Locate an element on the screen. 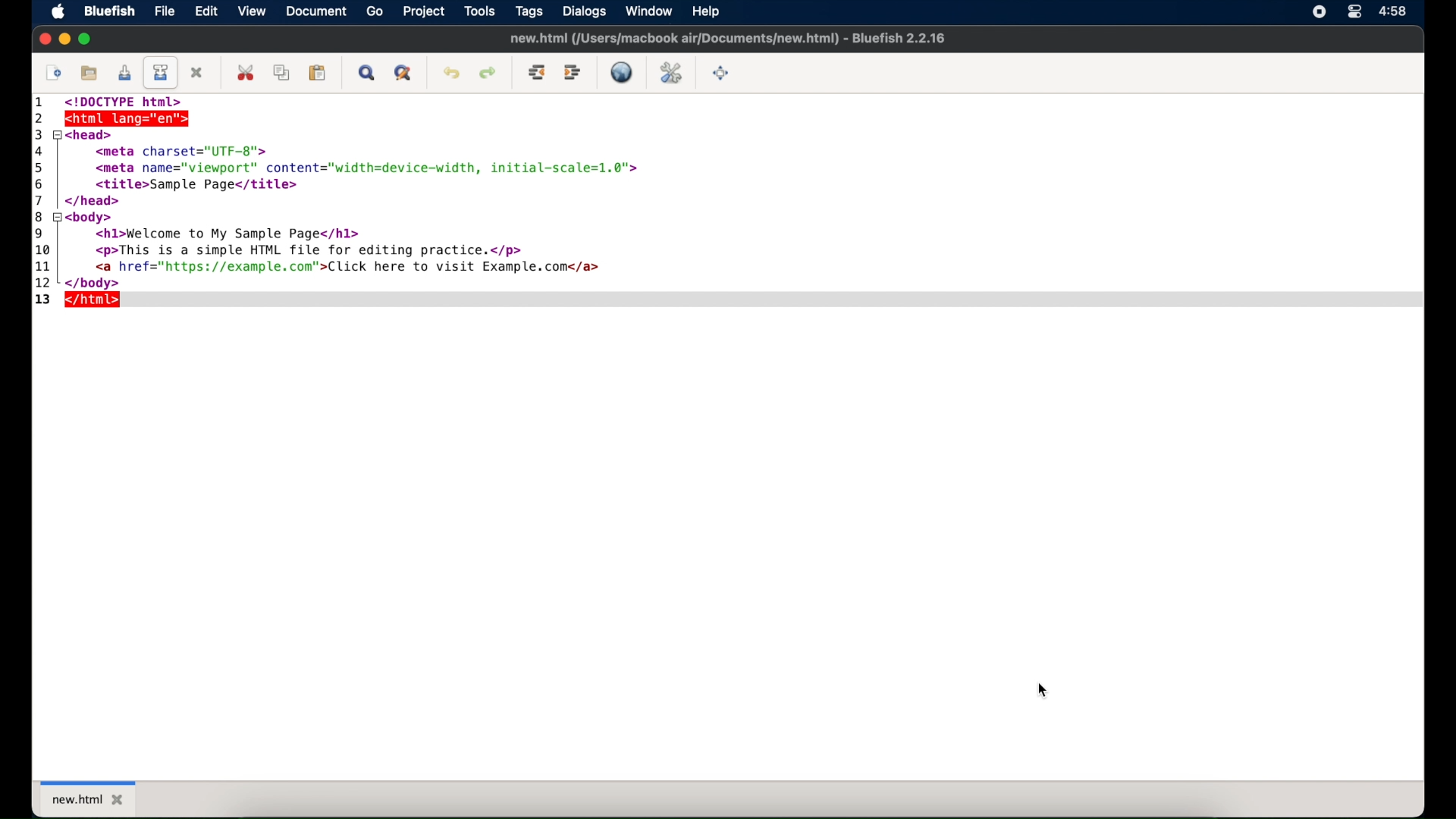 This screenshot has width=1456, height=819. control center is located at coordinates (1354, 12).